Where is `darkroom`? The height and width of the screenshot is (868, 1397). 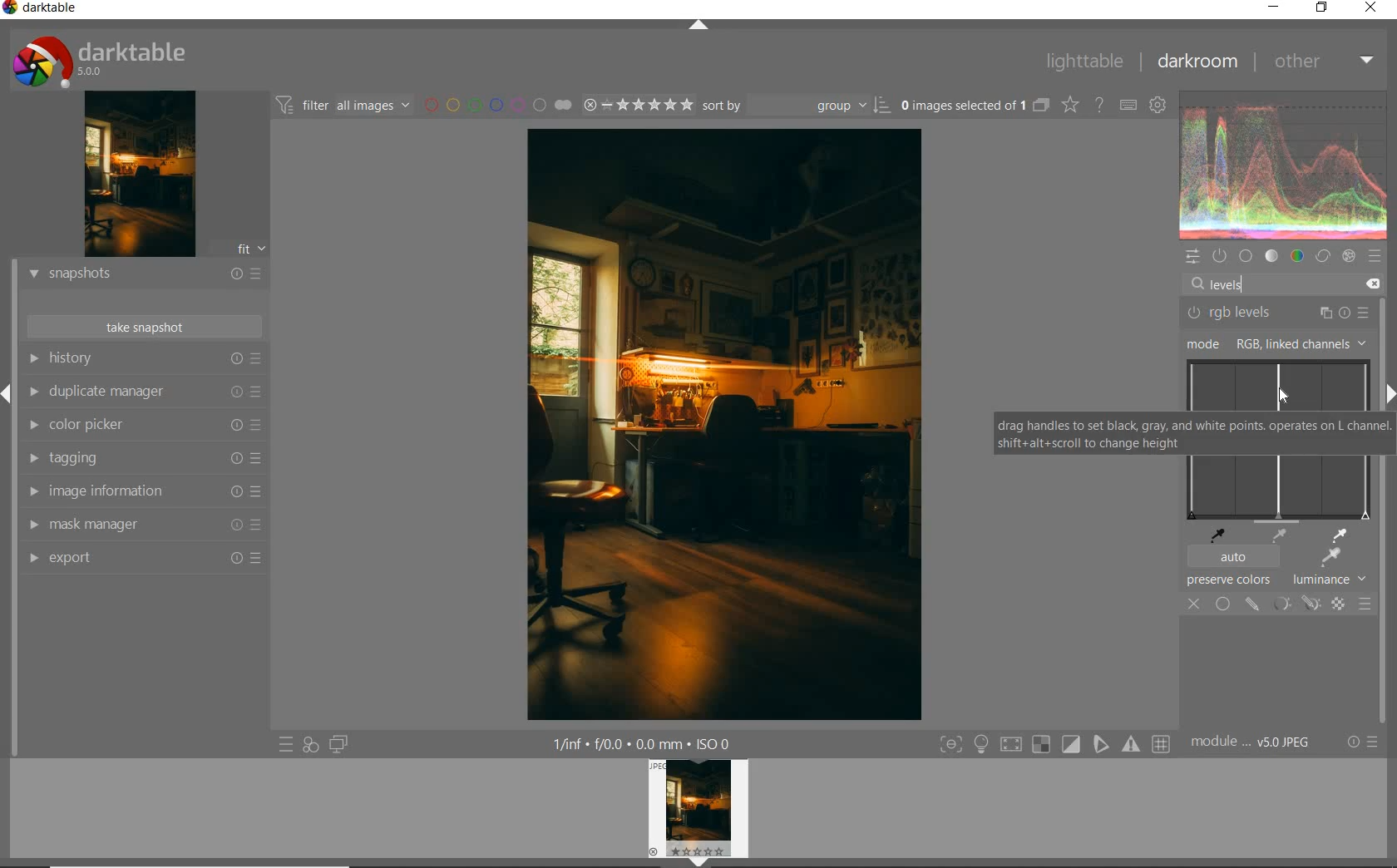 darkroom is located at coordinates (1200, 62).